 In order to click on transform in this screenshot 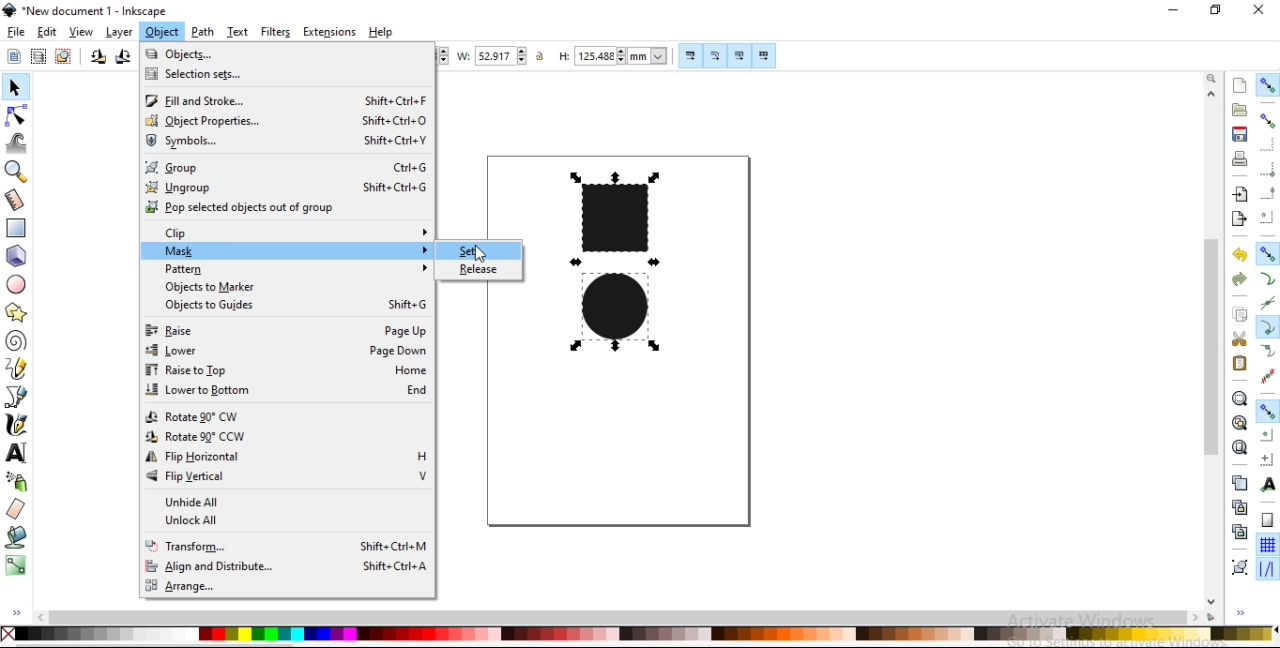, I will do `click(287, 544)`.